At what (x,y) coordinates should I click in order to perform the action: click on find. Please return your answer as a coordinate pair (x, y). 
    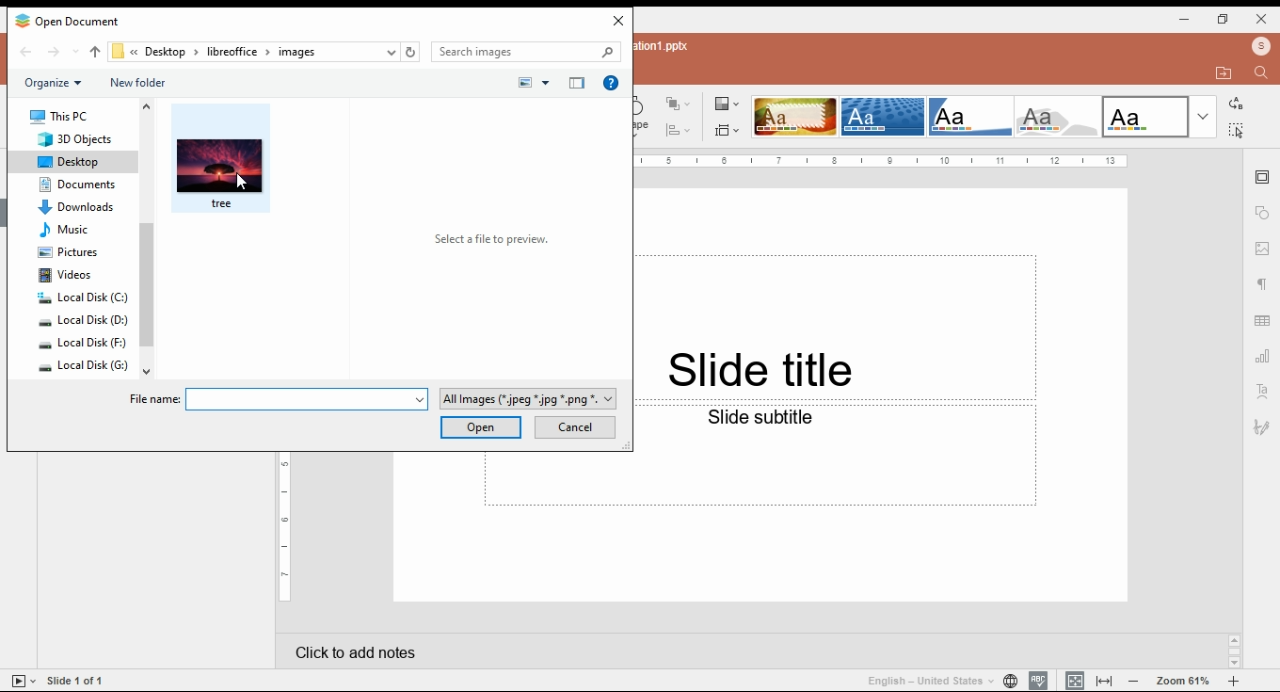
    Looking at the image, I should click on (1259, 74).